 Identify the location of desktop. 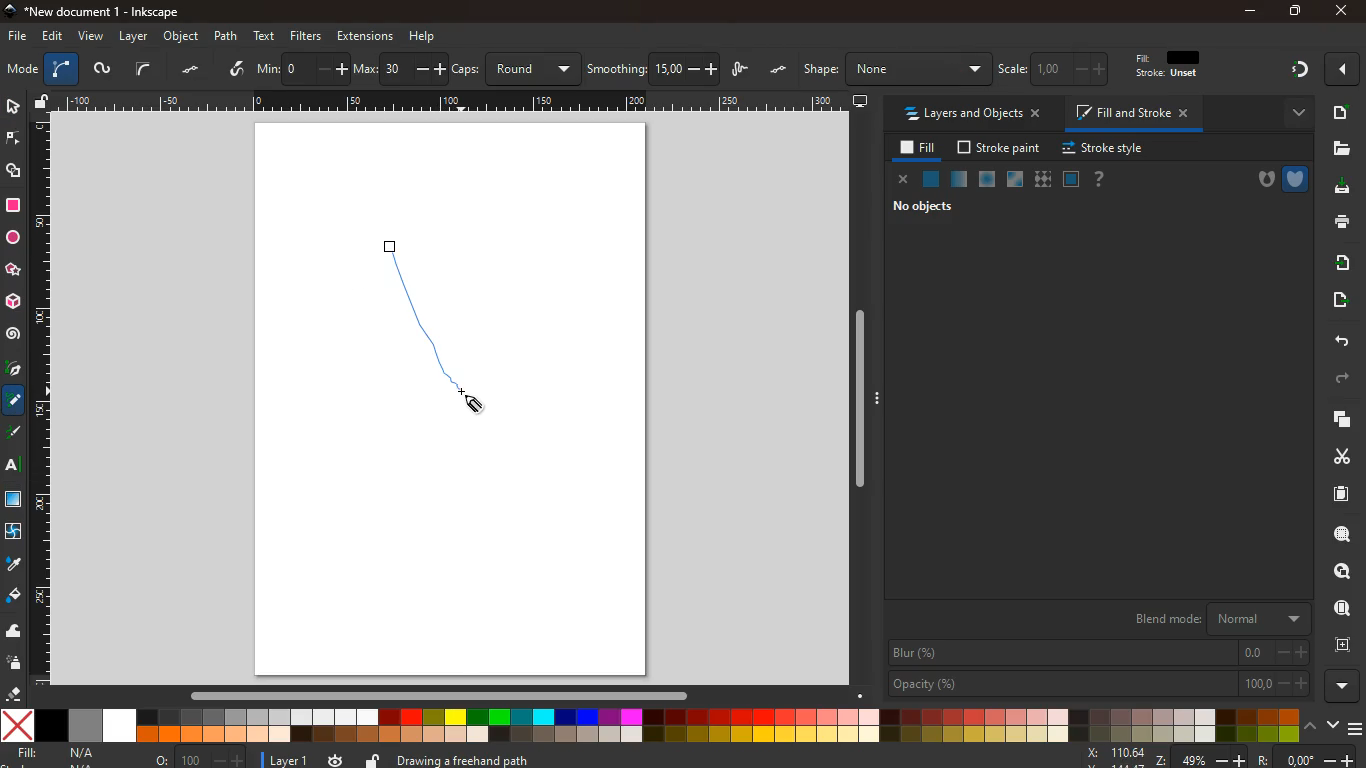
(861, 102).